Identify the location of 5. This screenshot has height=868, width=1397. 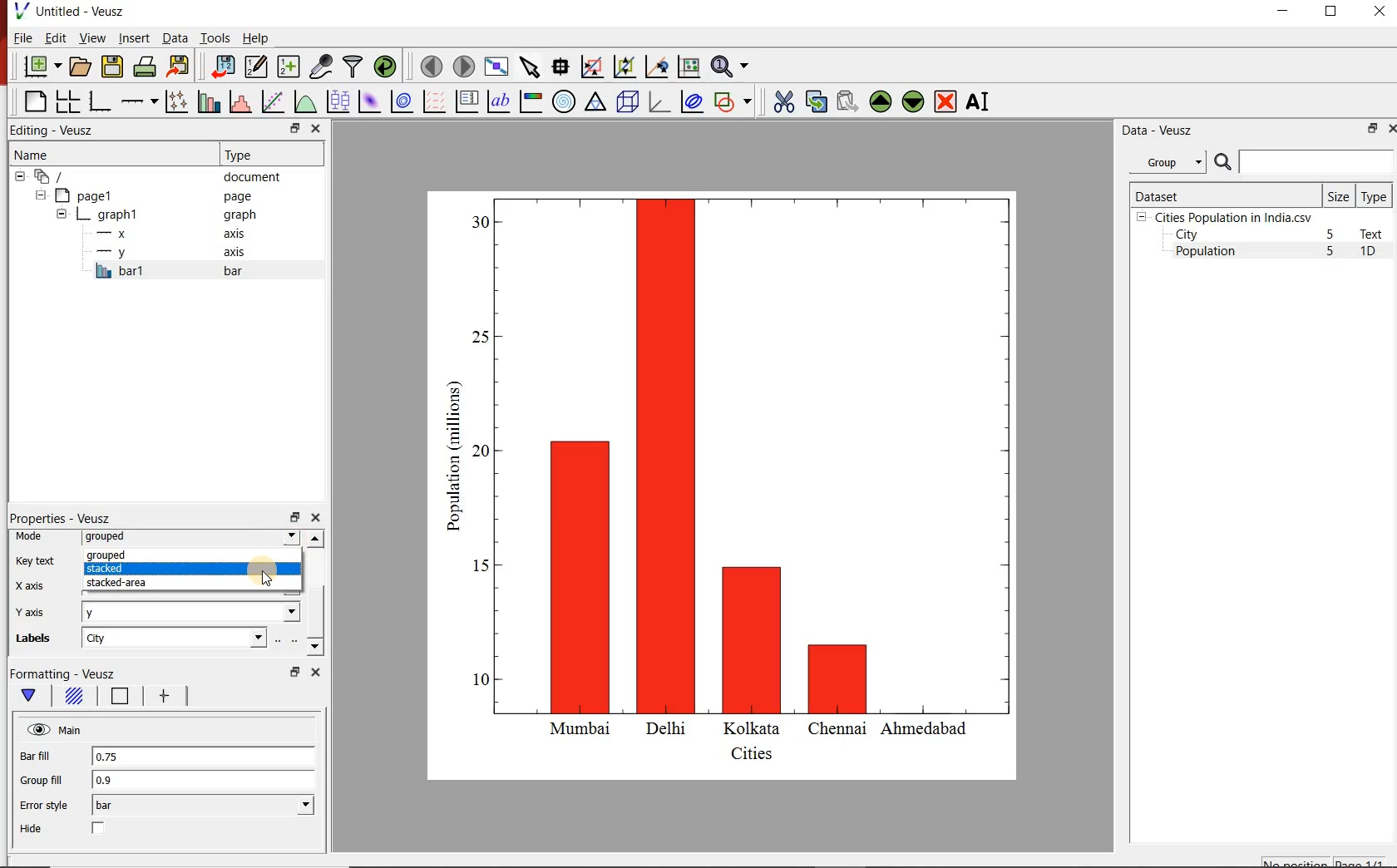
(1331, 235).